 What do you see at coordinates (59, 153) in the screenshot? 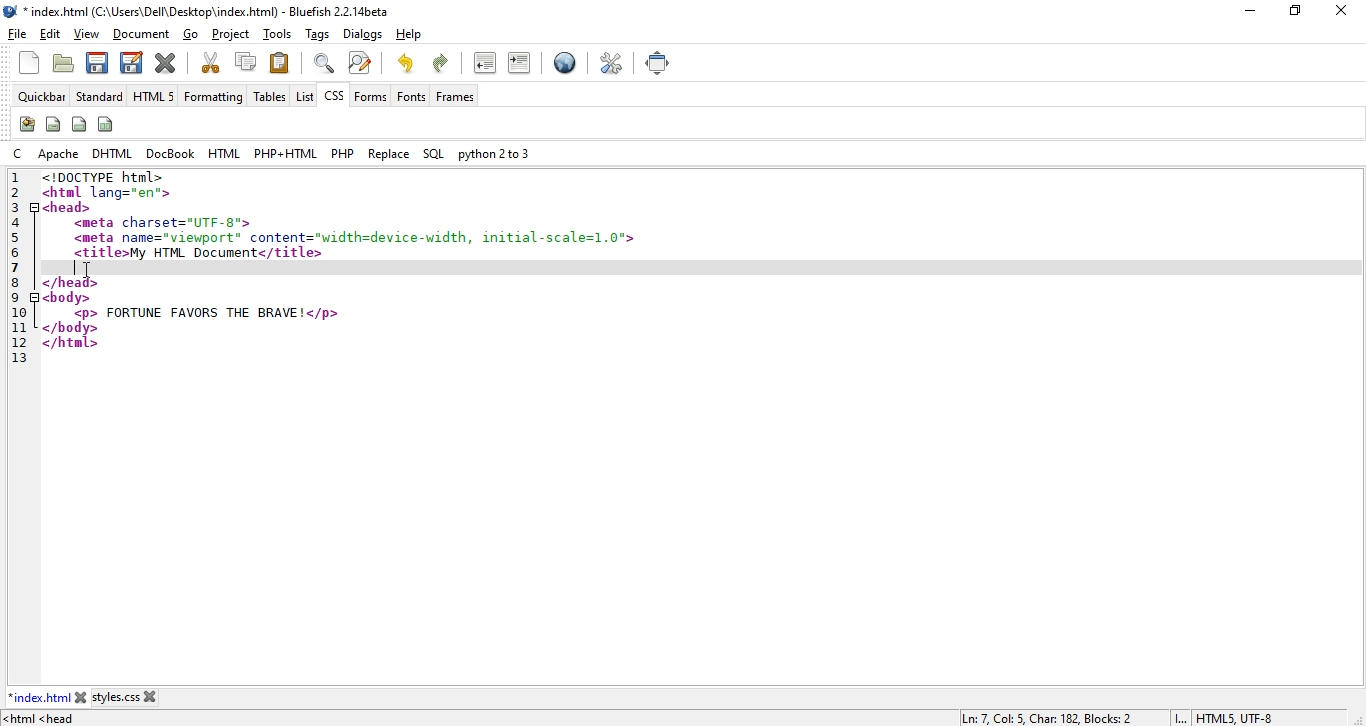
I see `pache` at bounding box center [59, 153].